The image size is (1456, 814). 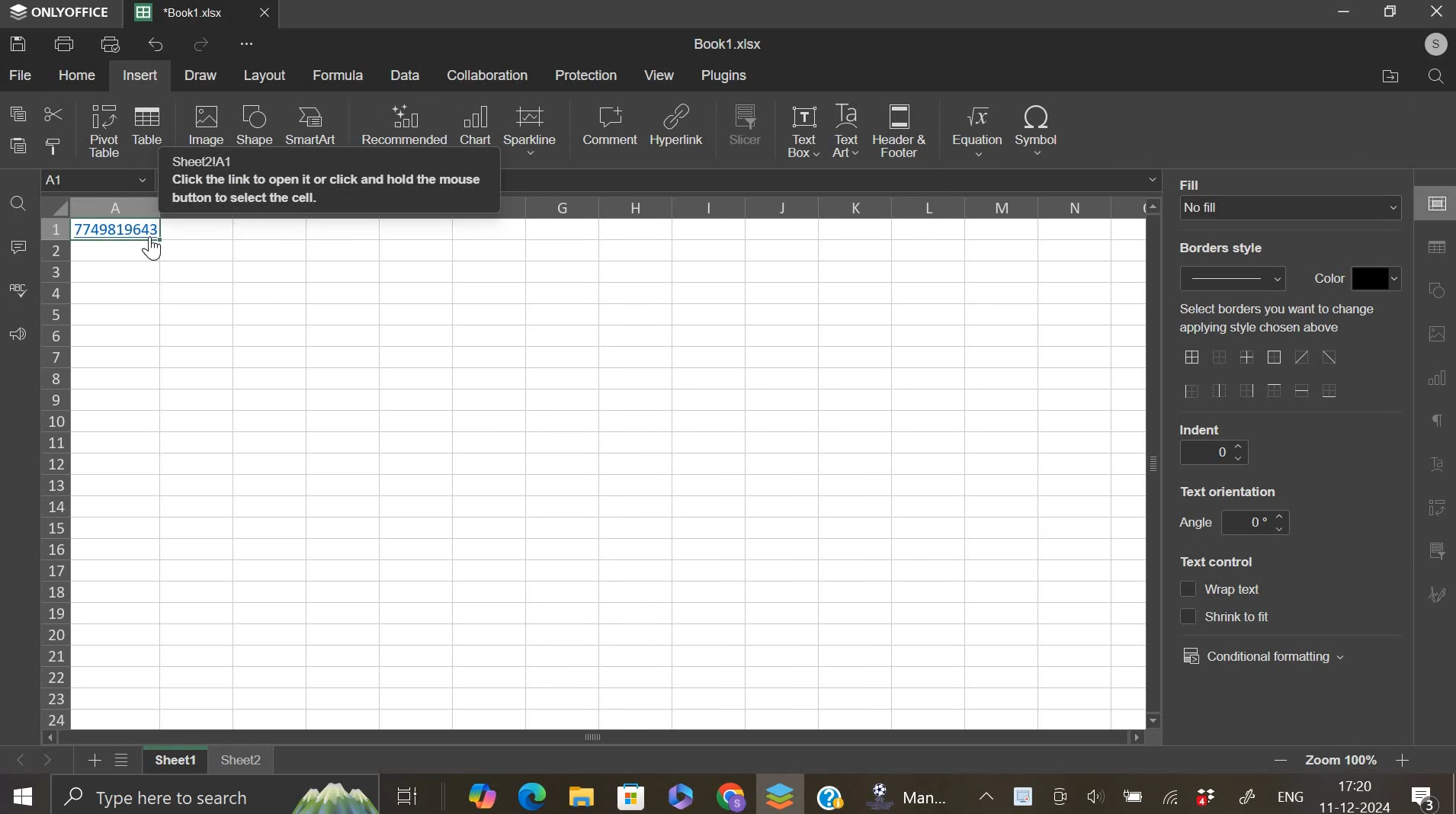 I want to click on print, so click(x=65, y=43).